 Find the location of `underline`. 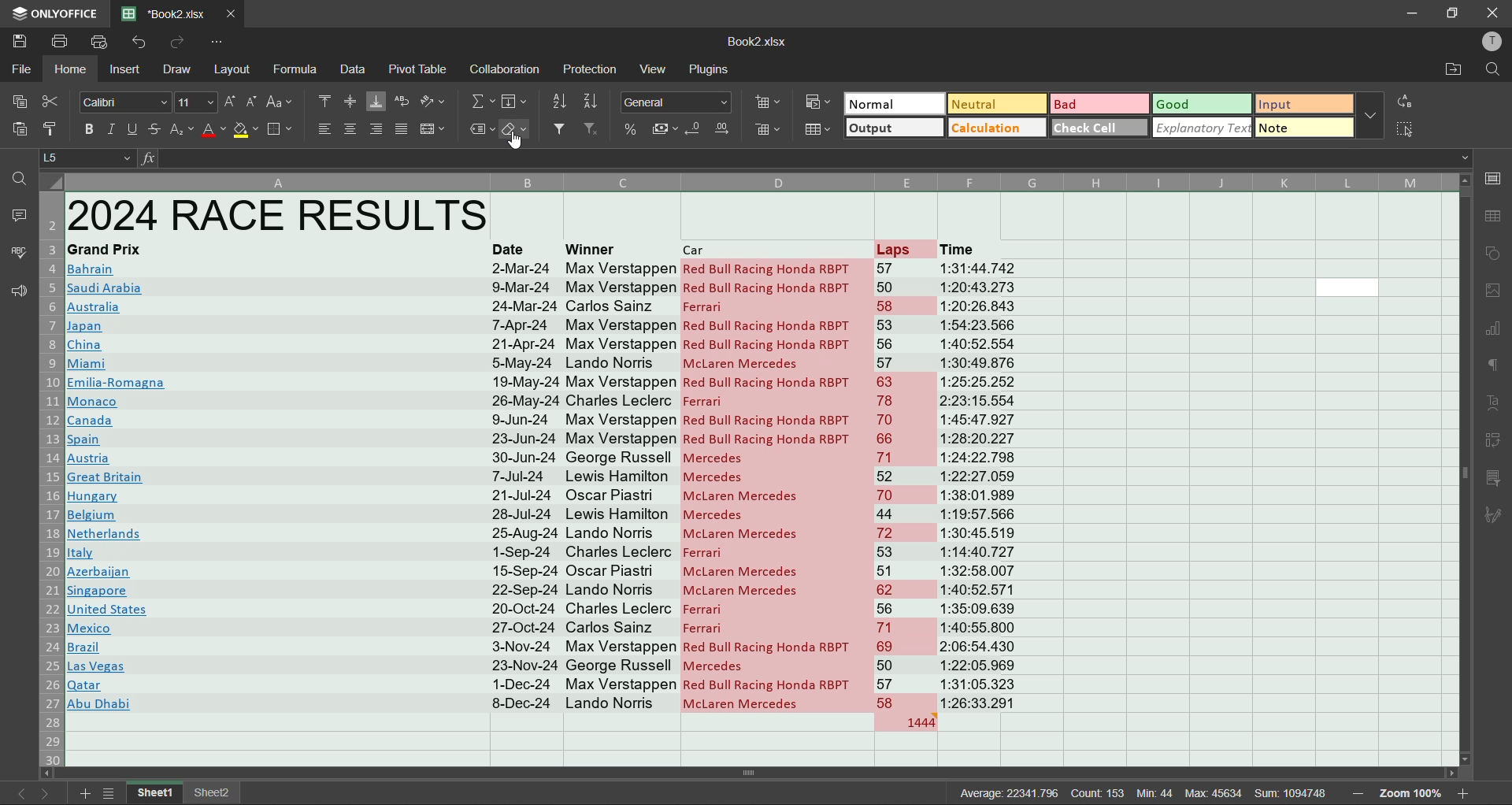

underline is located at coordinates (133, 131).